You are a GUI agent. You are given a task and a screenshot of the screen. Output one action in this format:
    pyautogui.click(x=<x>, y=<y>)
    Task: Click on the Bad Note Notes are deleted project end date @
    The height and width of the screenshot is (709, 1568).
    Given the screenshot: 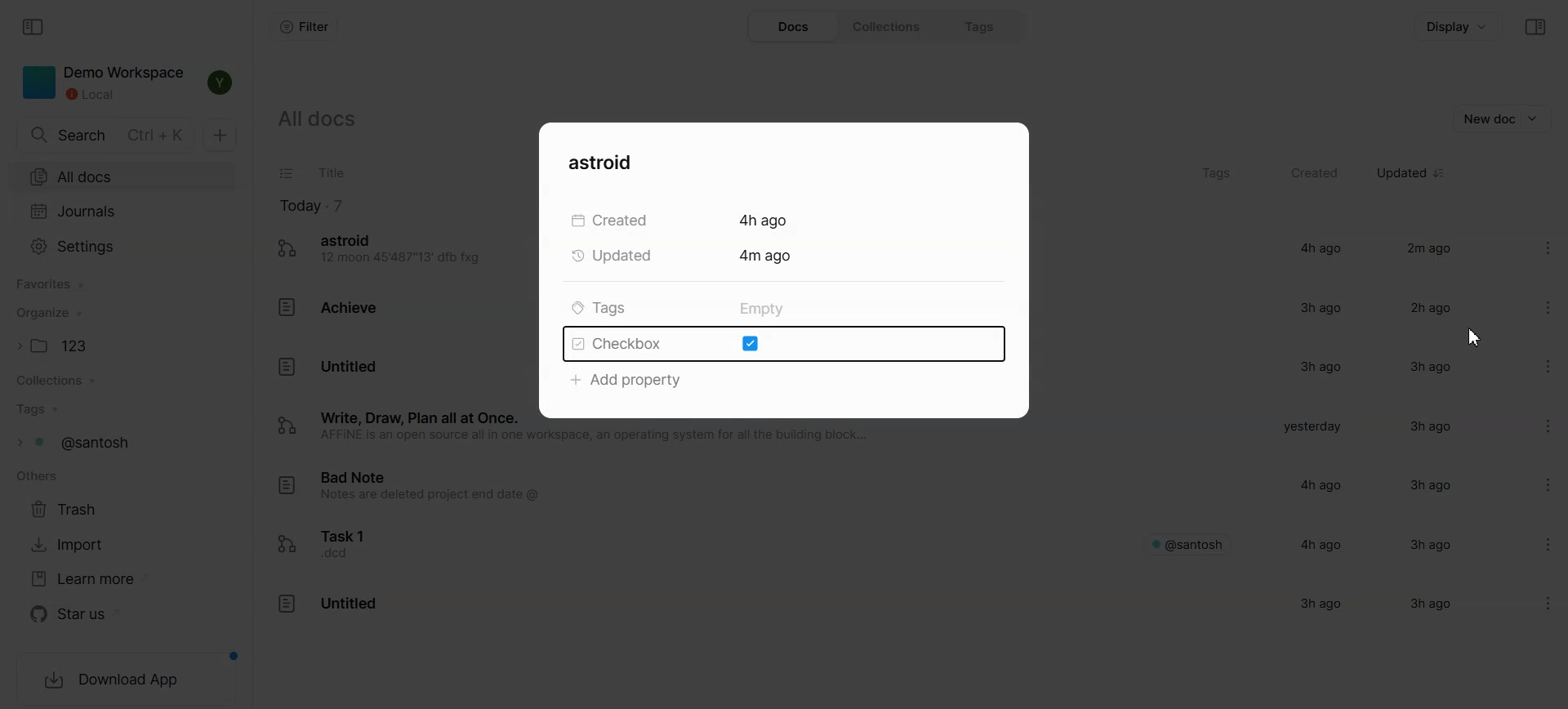 What is the action you would take?
    pyautogui.click(x=425, y=491)
    